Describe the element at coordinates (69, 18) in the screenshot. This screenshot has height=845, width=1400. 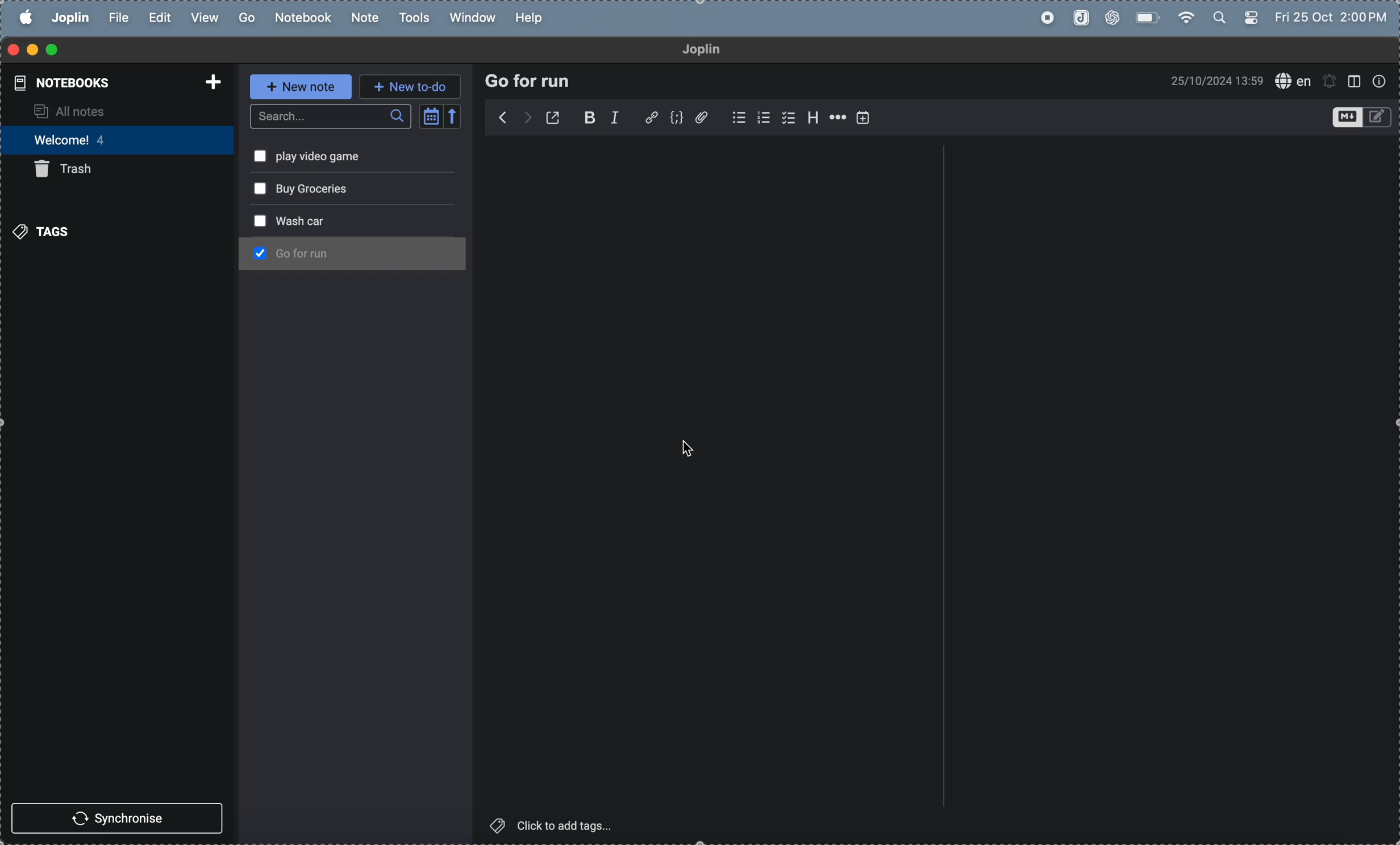
I see `joplin` at that location.